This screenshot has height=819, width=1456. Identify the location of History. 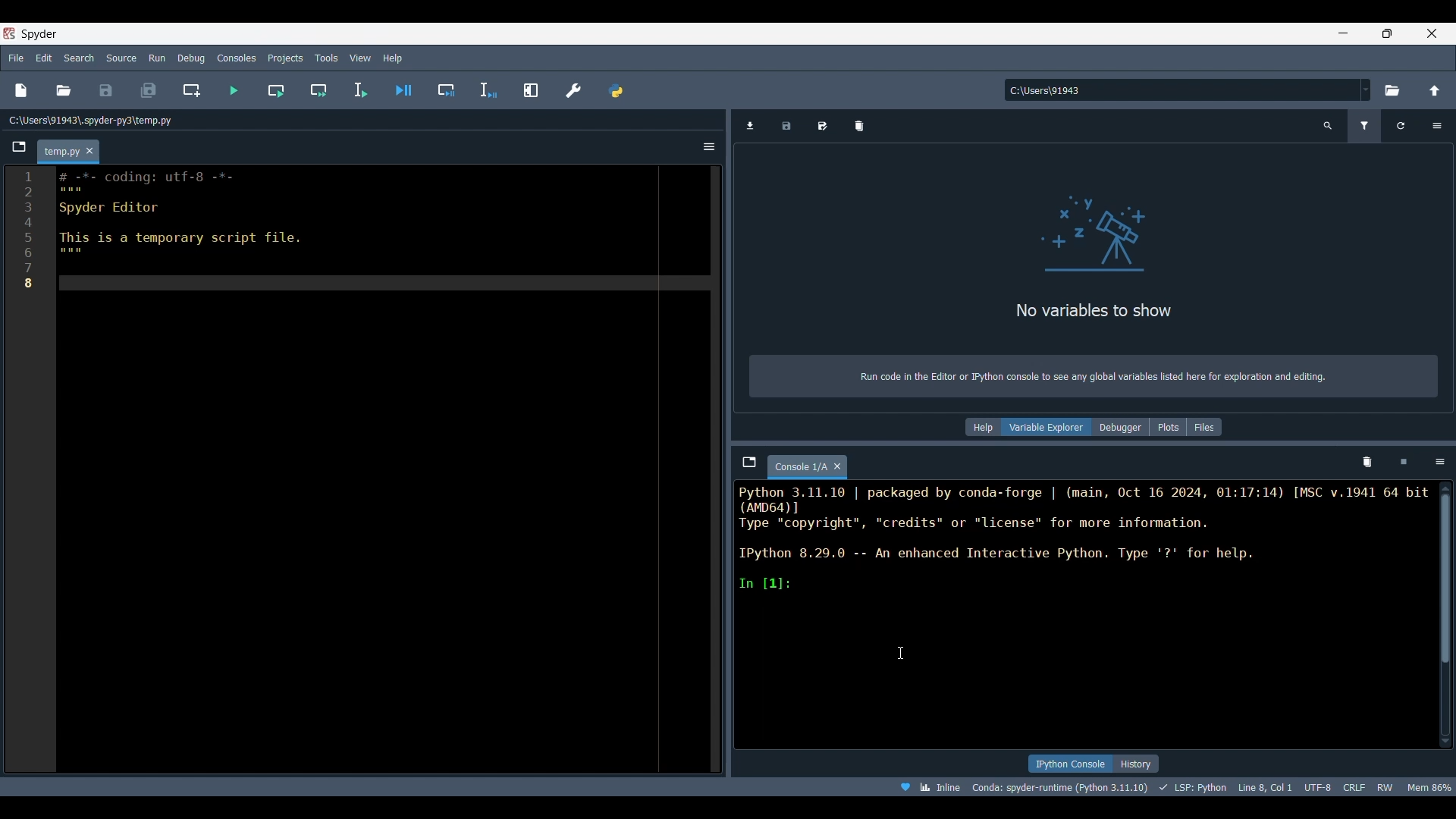
(1136, 764).